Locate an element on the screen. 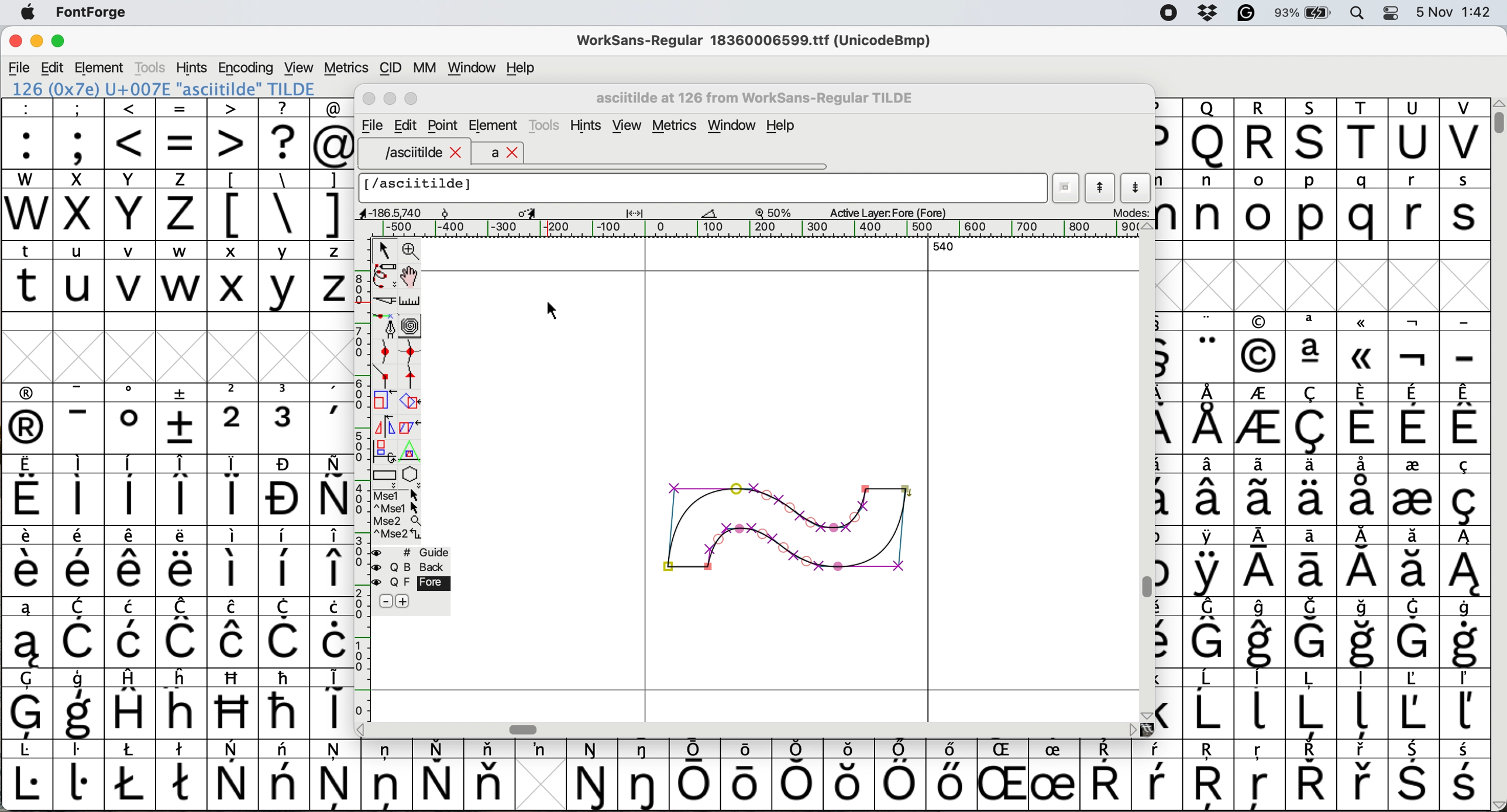  symbol is located at coordinates (1312, 562).